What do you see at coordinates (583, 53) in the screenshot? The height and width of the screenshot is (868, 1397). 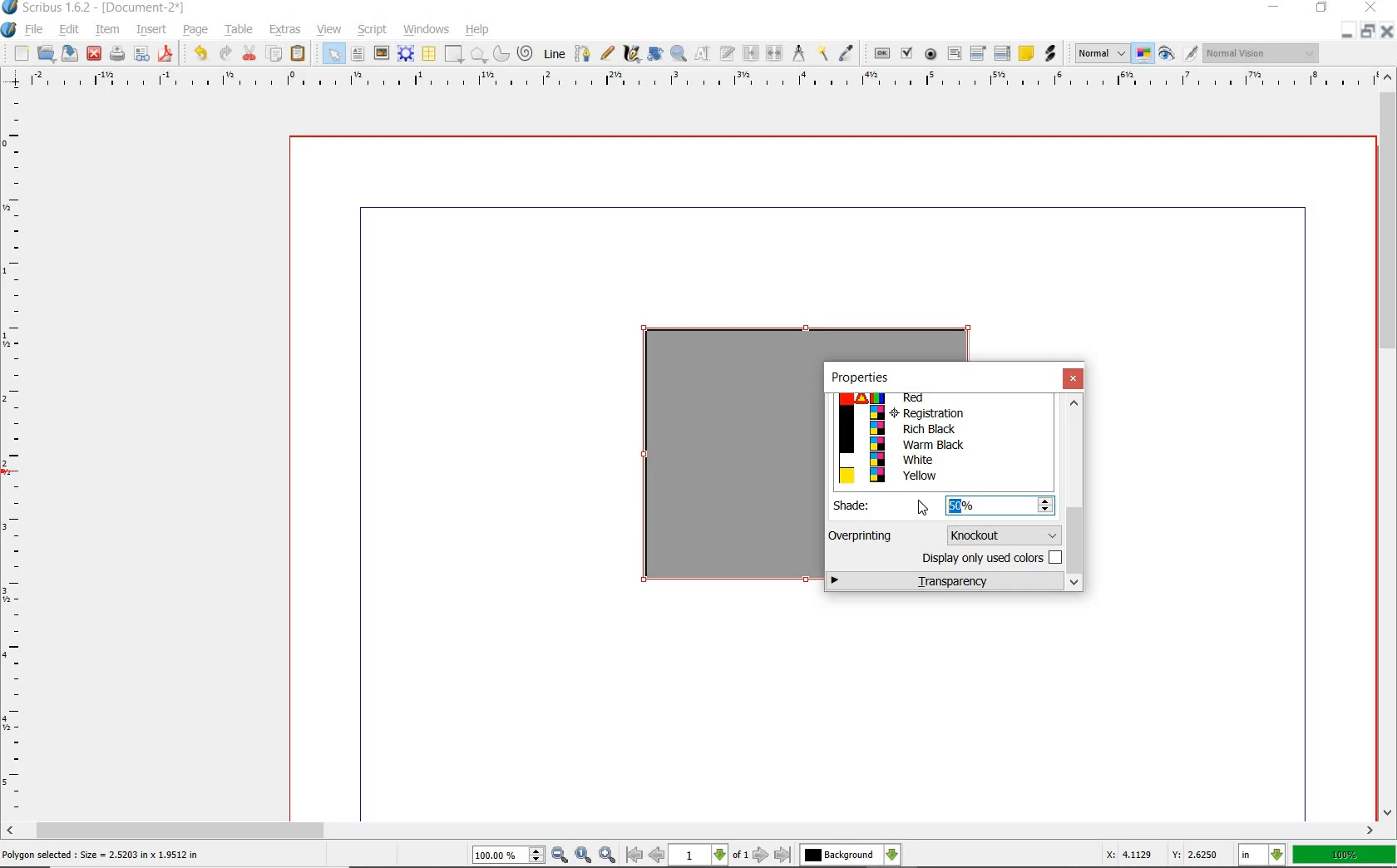 I see `bezier curve` at bounding box center [583, 53].